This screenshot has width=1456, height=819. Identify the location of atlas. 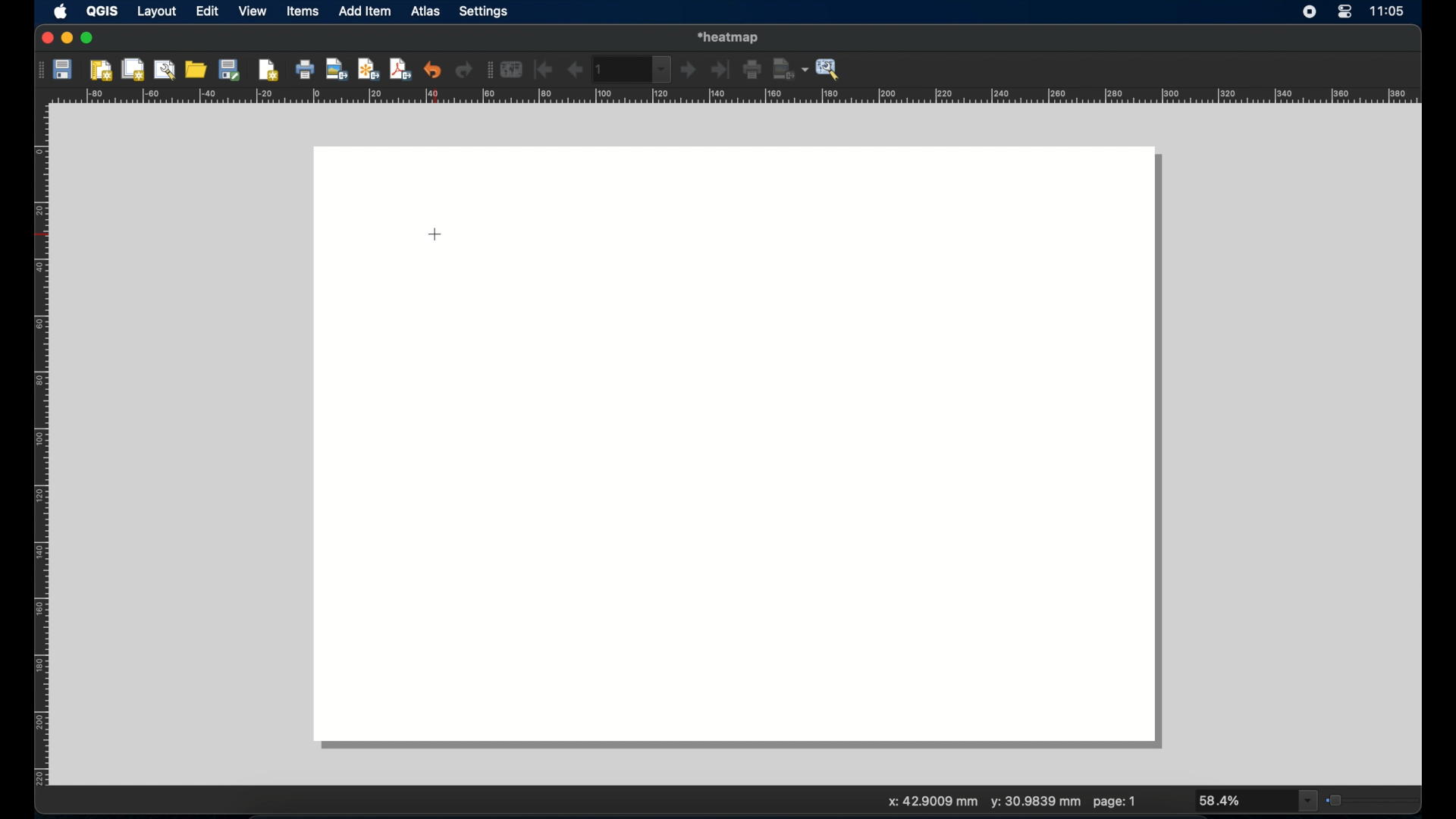
(428, 13).